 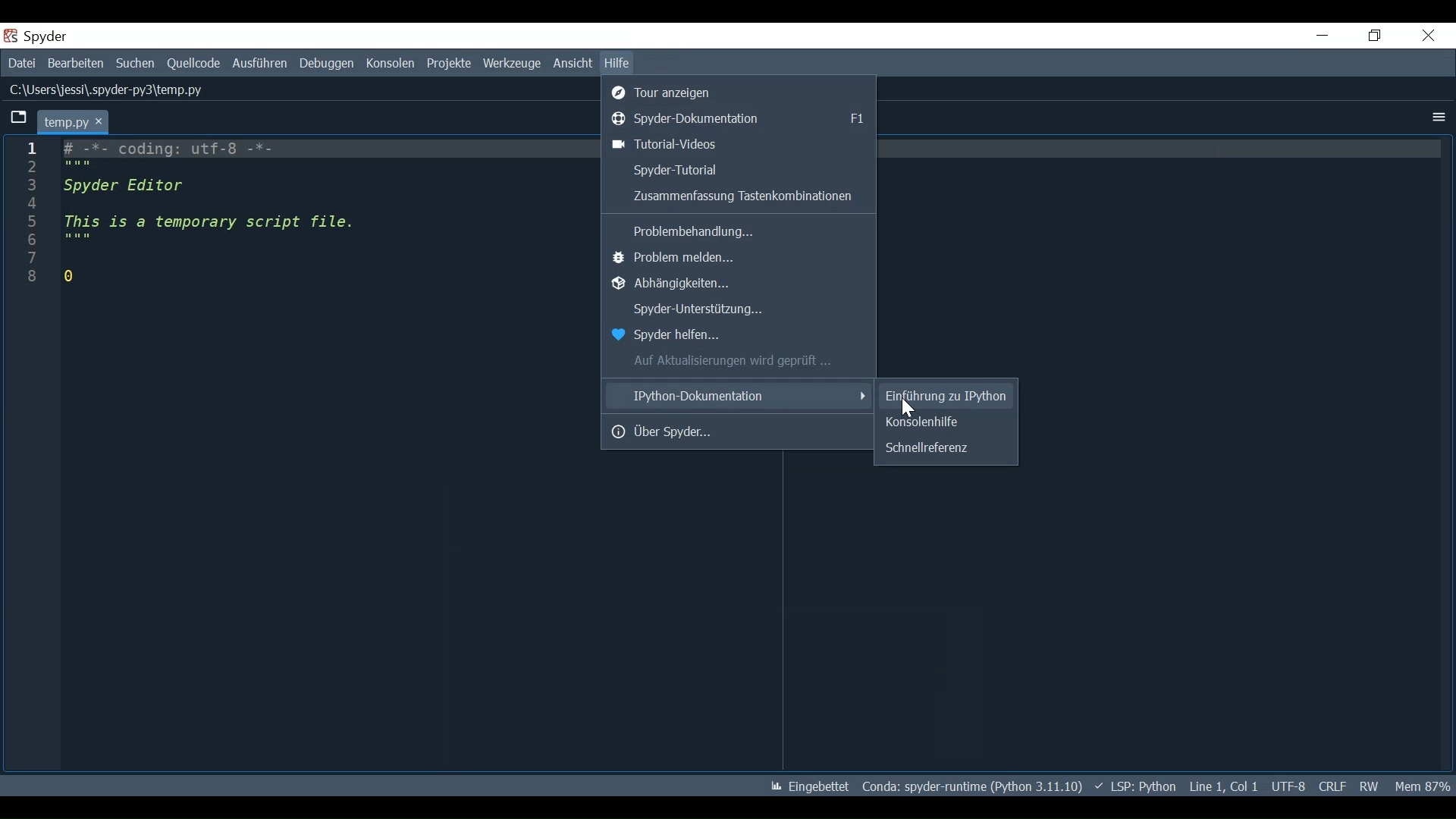 What do you see at coordinates (946, 396) in the screenshot?
I see `Intro to IPython` at bounding box center [946, 396].